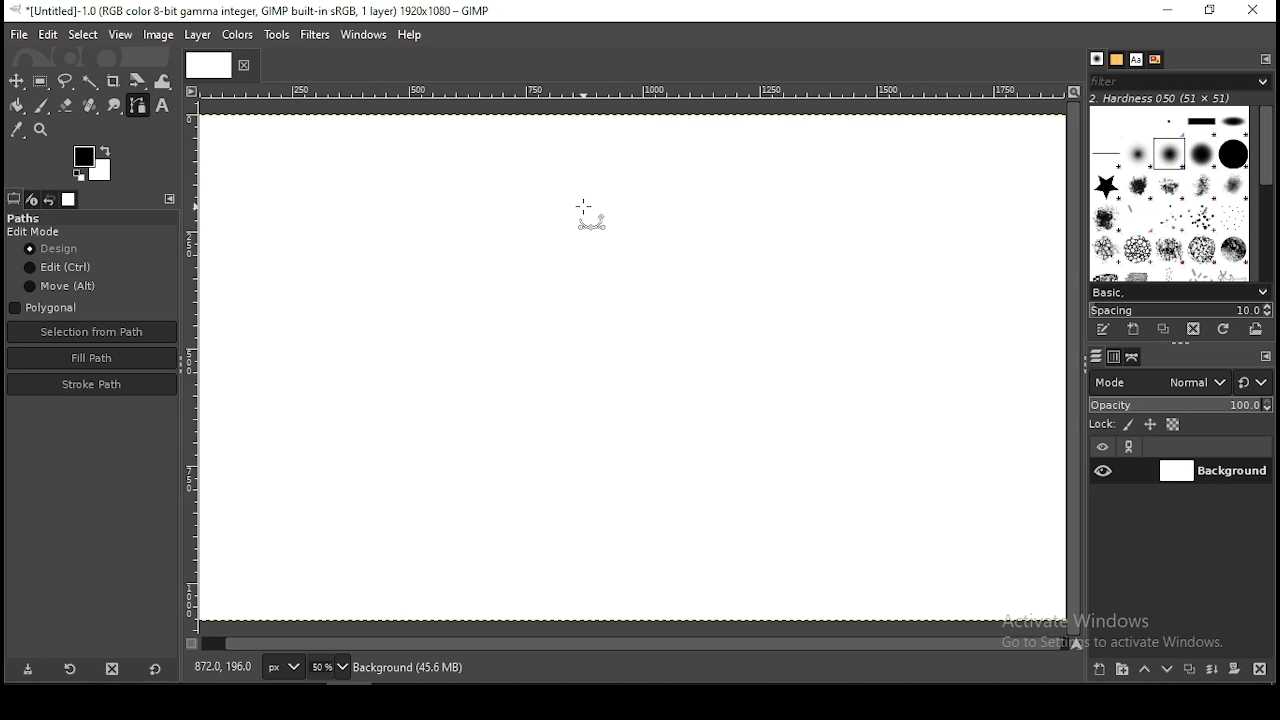 This screenshot has height=720, width=1280. Describe the element at coordinates (32, 199) in the screenshot. I see `device status` at that location.